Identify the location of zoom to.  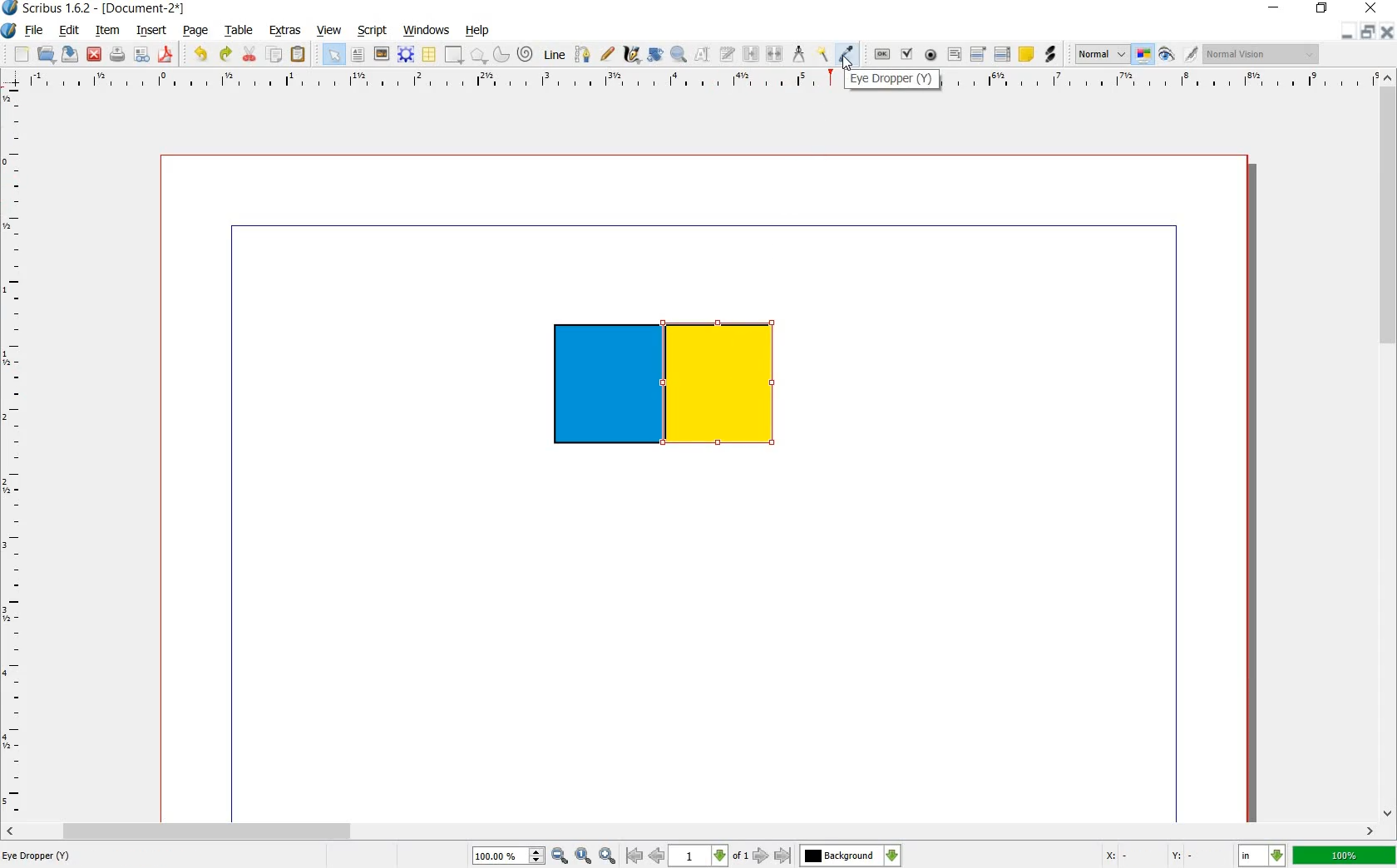
(584, 854).